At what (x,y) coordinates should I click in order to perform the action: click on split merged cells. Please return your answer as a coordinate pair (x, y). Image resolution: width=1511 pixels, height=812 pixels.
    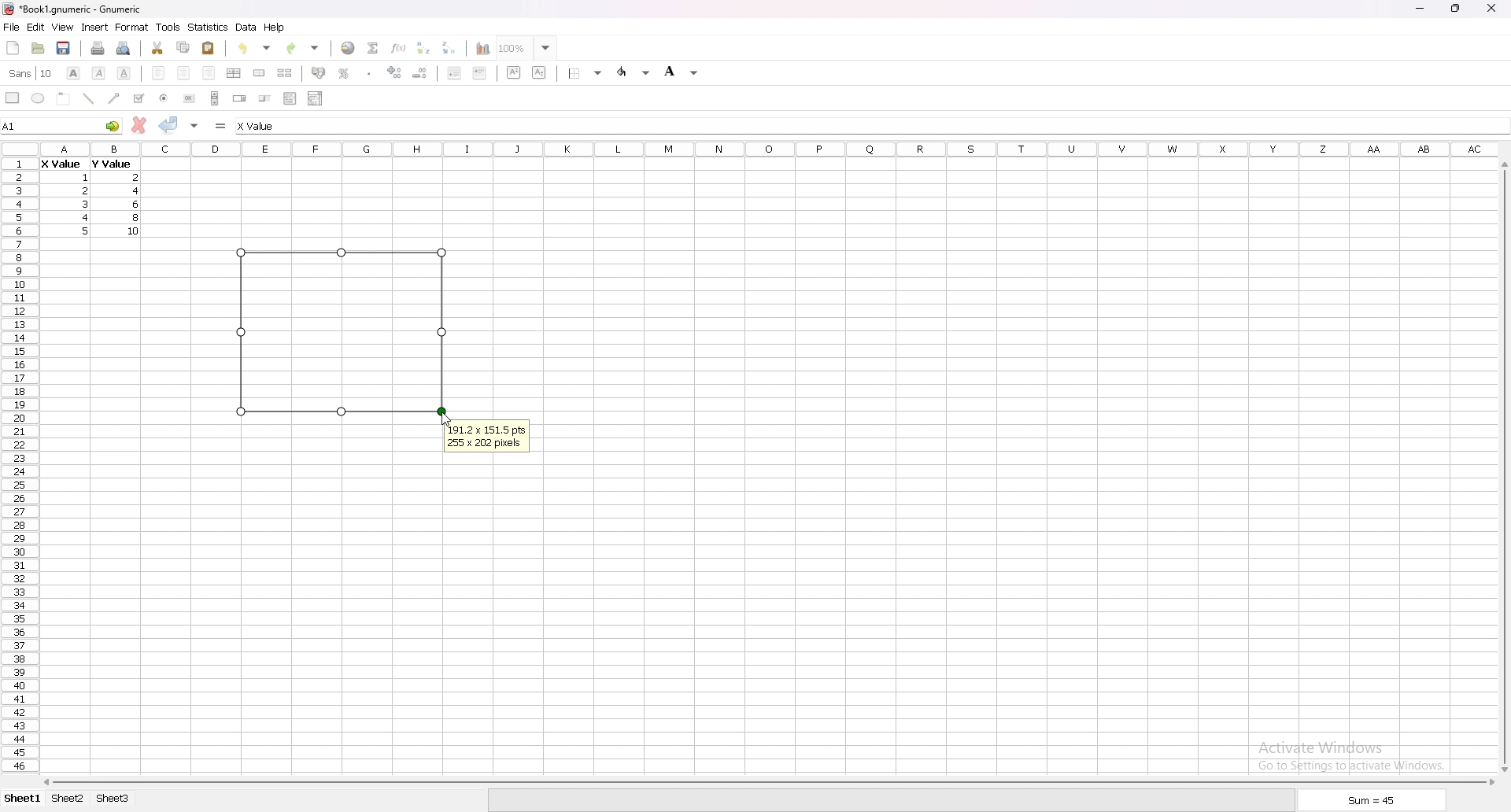
    Looking at the image, I should click on (284, 73).